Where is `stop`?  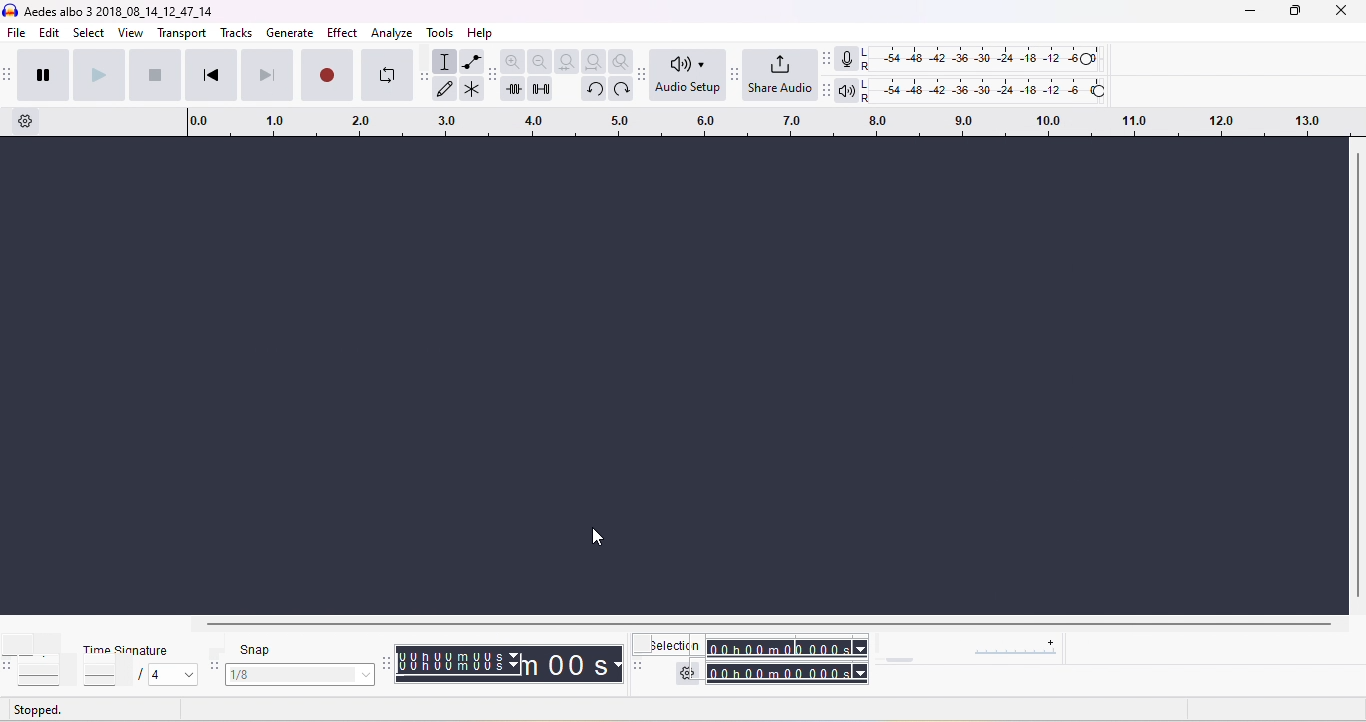
stop is located at coordinates (154, 74).